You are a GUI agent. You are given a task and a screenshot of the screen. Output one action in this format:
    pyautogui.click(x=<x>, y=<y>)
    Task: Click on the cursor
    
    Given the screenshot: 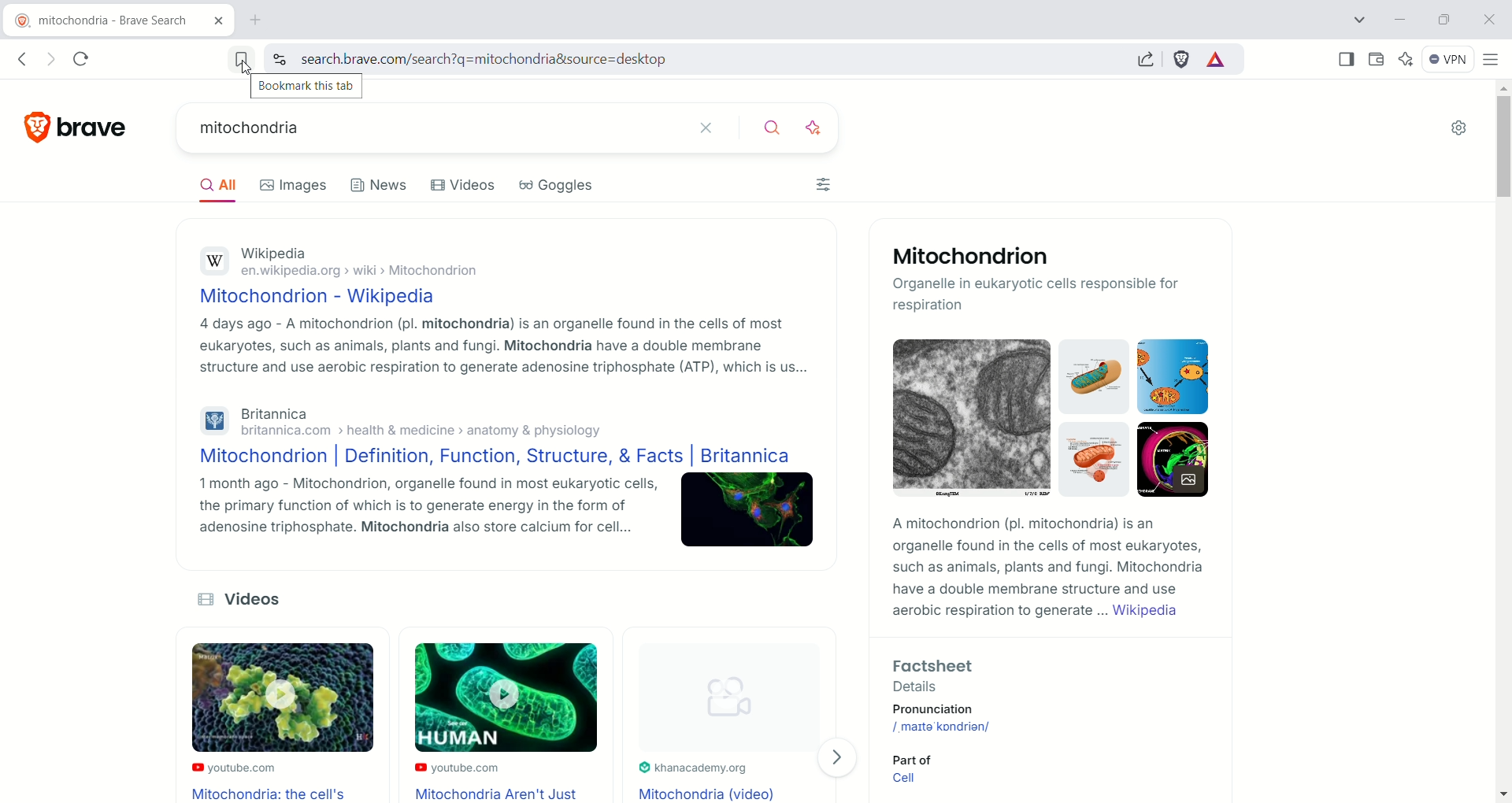 What is the action you would take?
    pyautogui.click(x=252, y=67)
    